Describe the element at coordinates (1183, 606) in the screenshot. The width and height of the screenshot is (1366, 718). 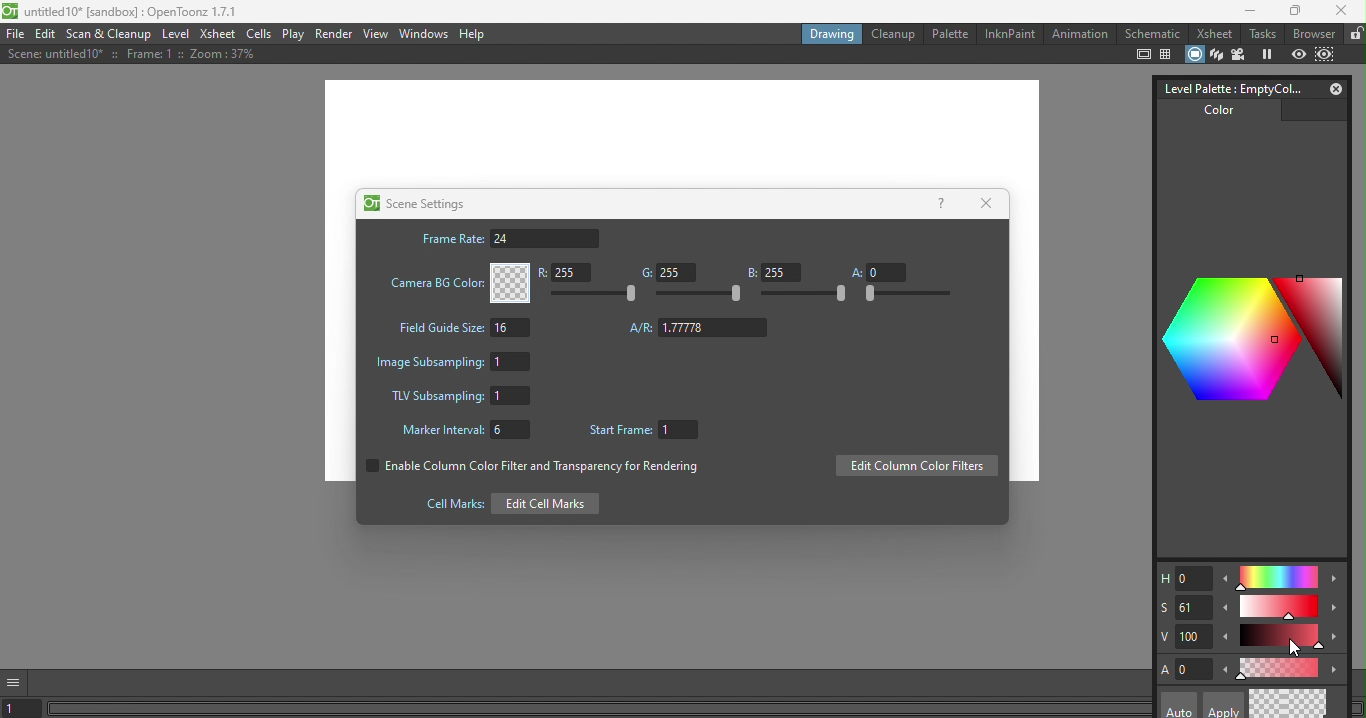
I see `S` at that location.